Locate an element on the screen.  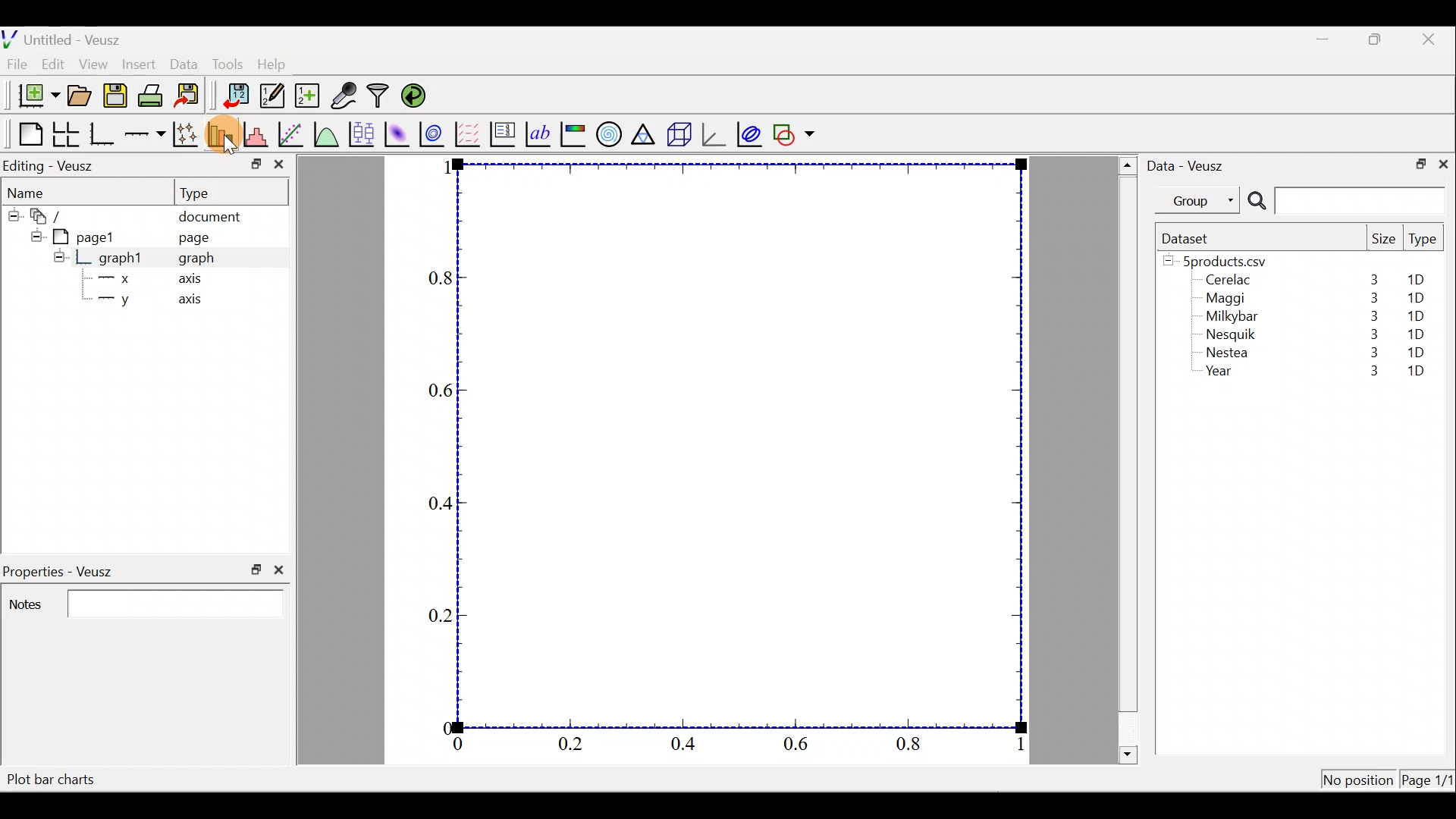
Nesquik is located at coordinates (1228, 334).